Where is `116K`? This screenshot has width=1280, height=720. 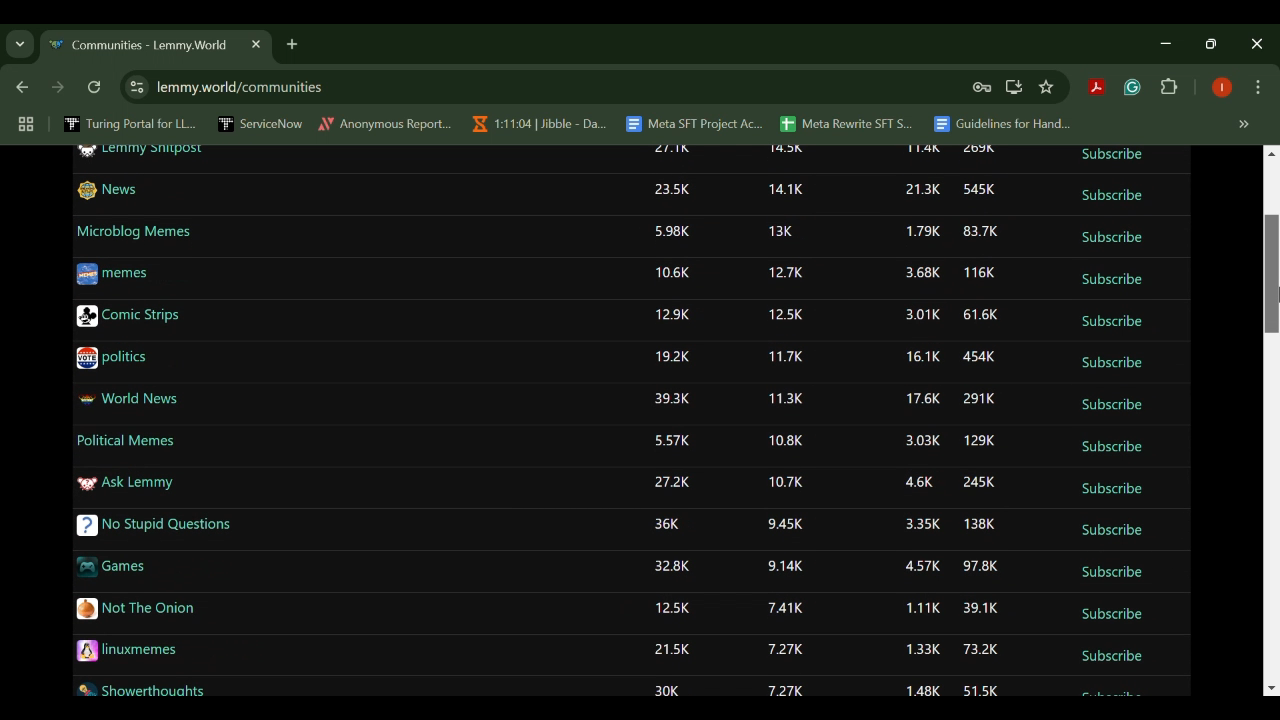 116K is located at coordinates (978, 274).